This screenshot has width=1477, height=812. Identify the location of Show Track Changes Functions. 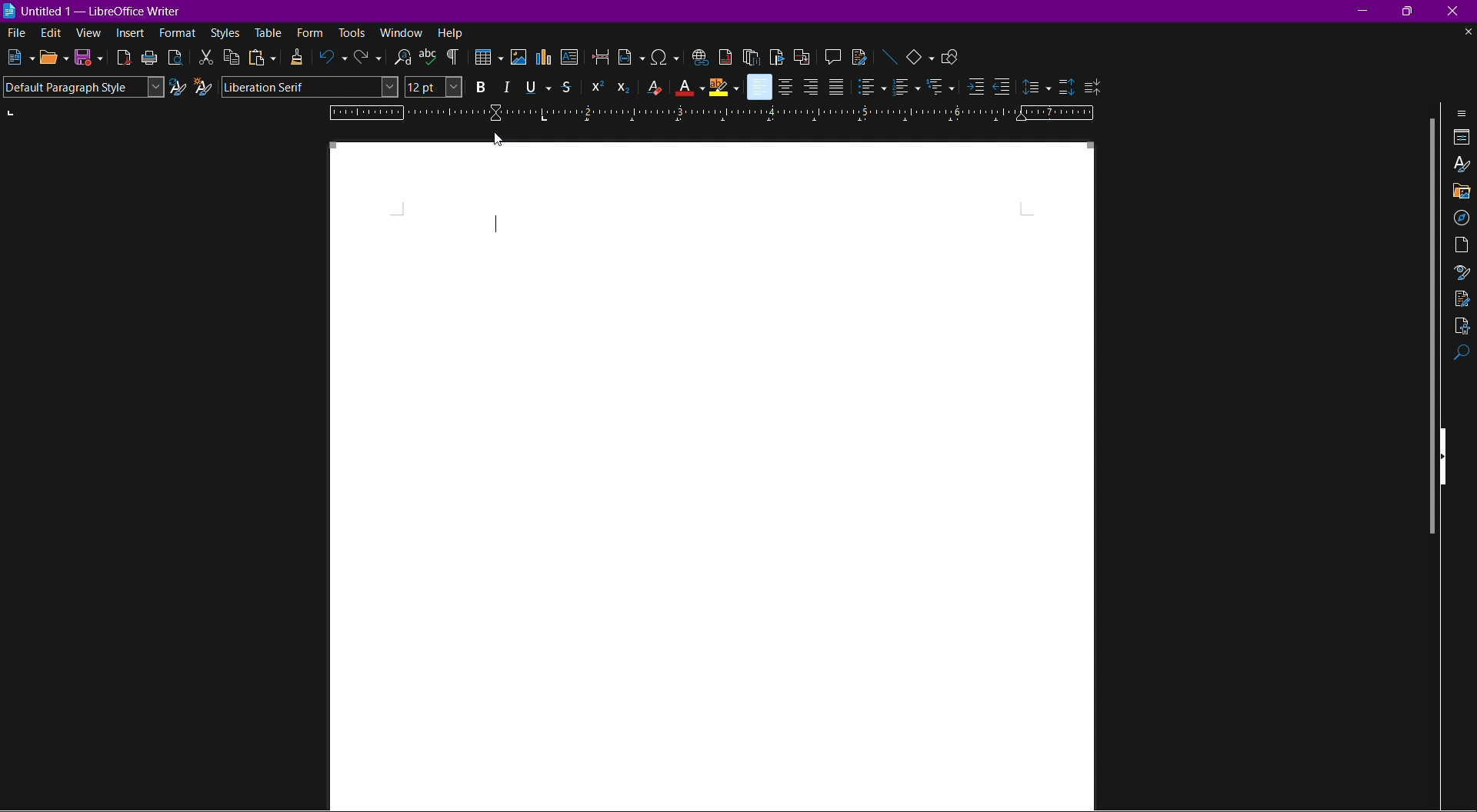
(859, 56).